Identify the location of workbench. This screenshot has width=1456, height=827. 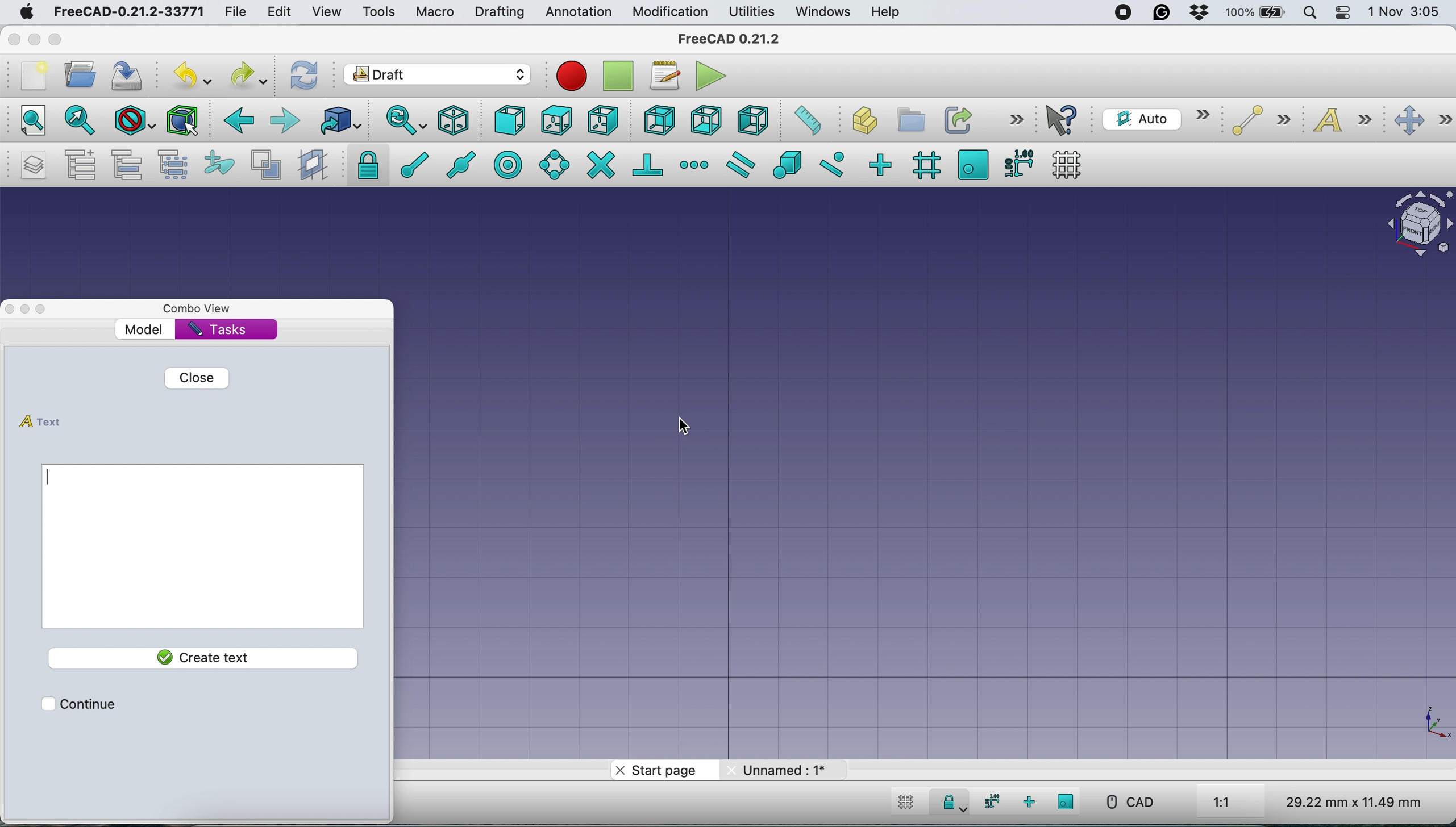
(436, 74).